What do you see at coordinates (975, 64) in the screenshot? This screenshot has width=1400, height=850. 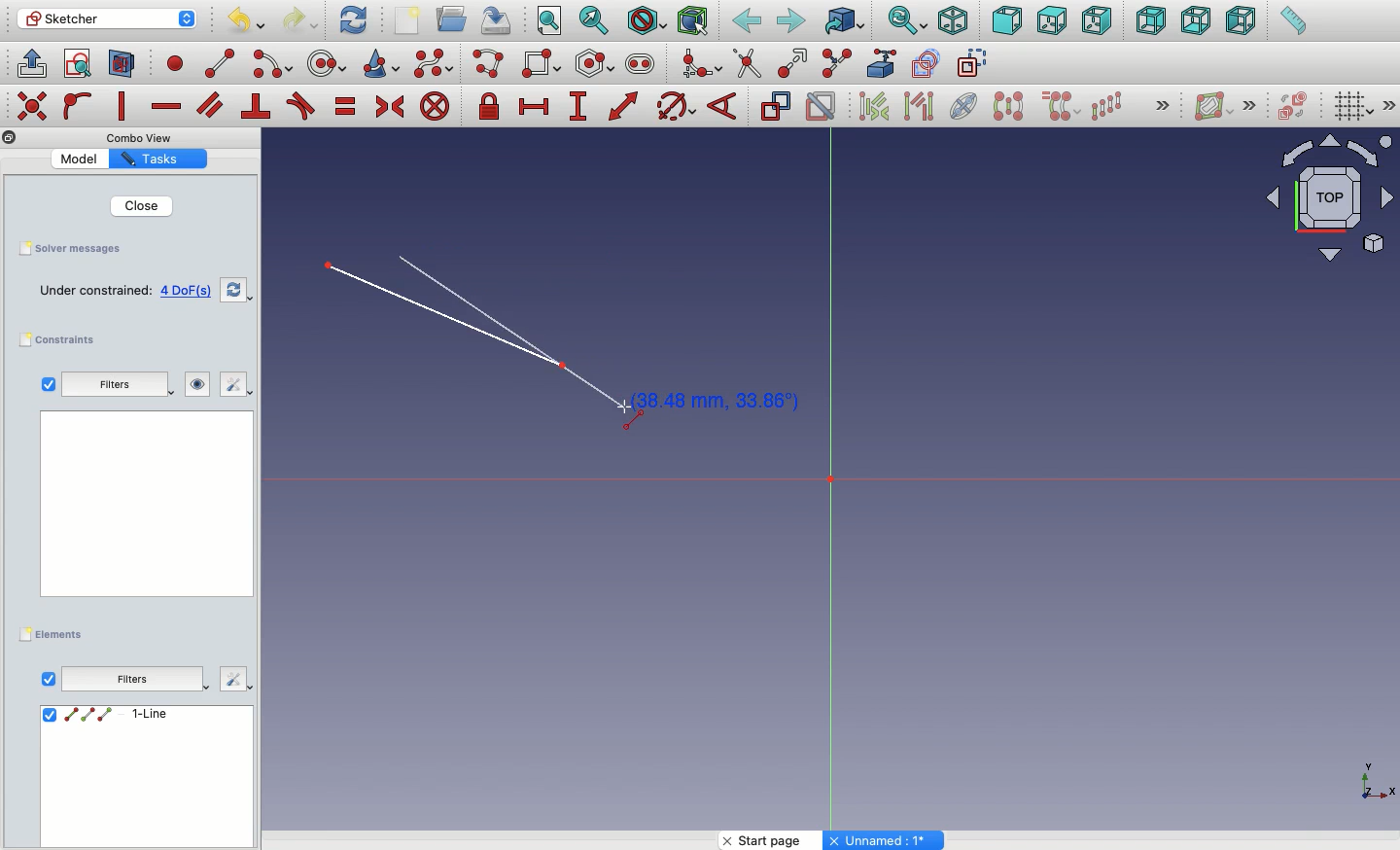 I see `construction geometry` at bounding box center [975, 64].